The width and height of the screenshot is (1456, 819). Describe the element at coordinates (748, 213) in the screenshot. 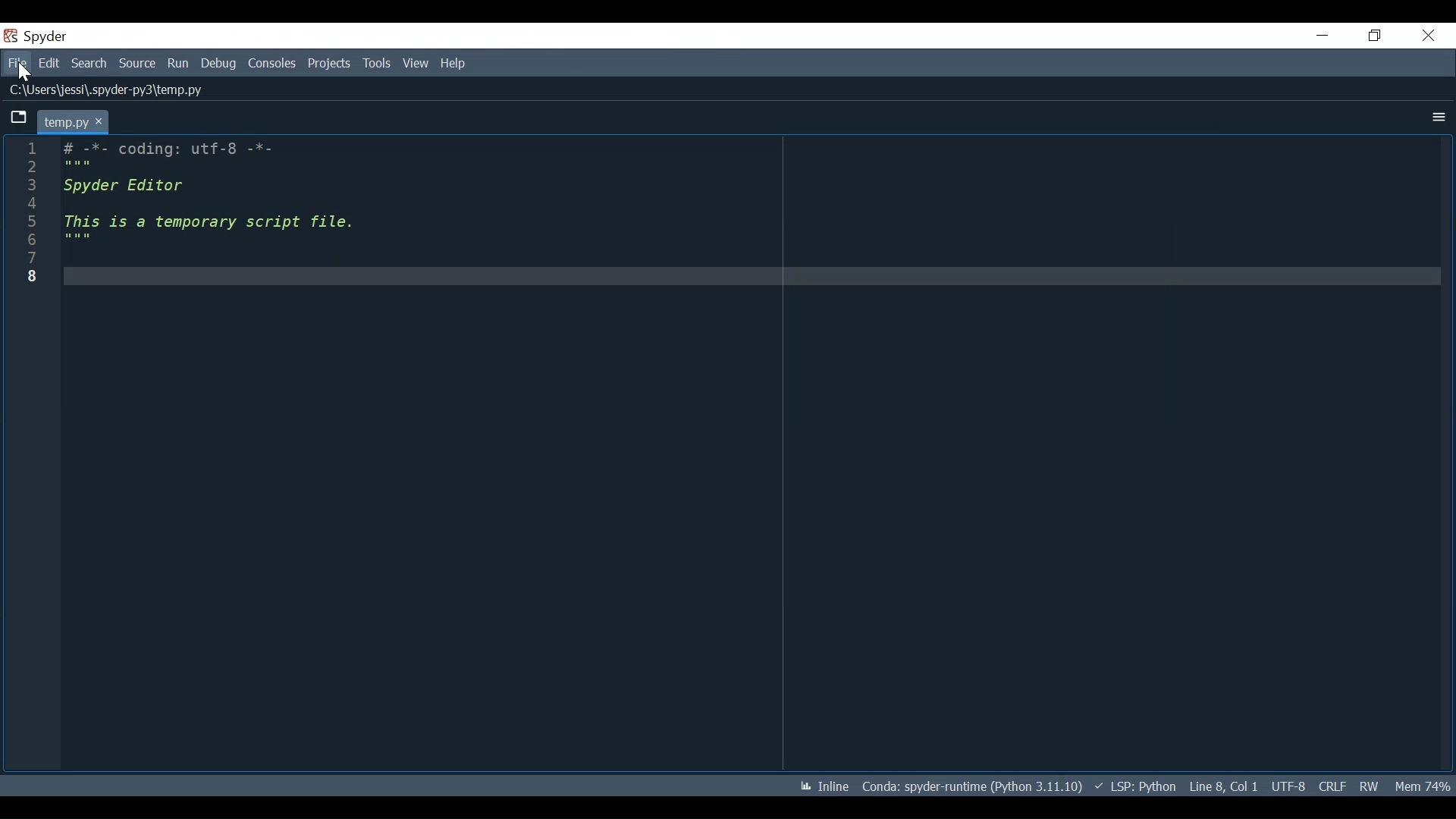

I see `# -*- coding: utf-8 -*- """ Spyder Editor  This is a temporary script file. """` at that location.